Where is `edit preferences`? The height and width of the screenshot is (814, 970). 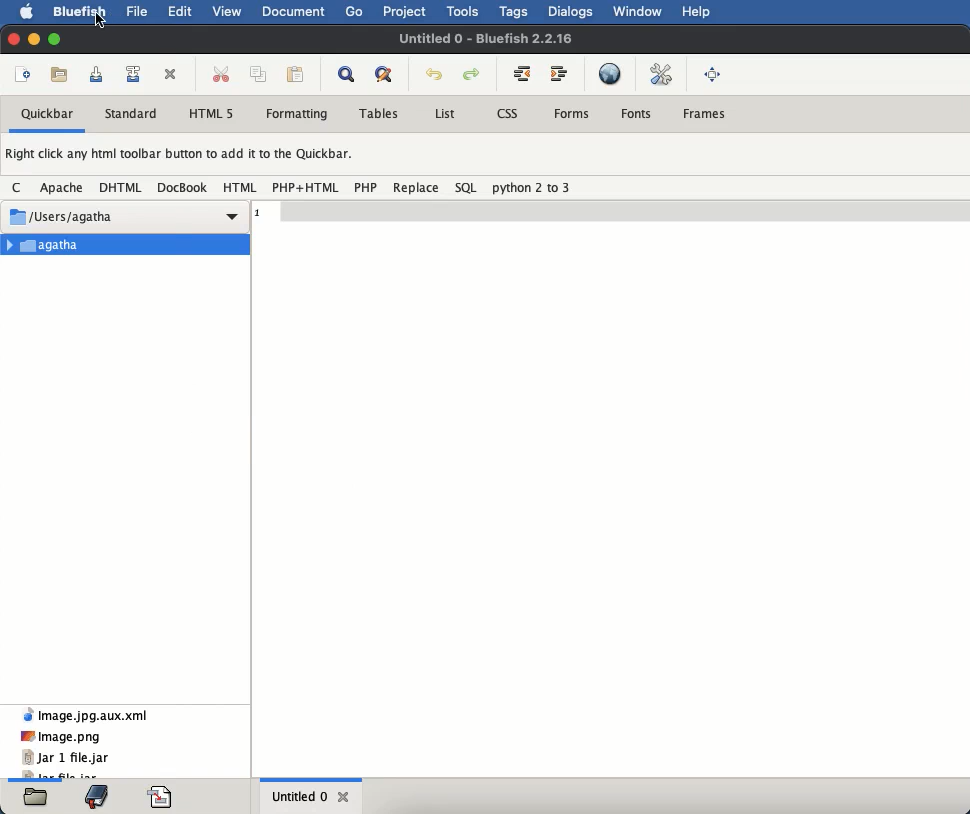 edit preferences is located at coordinates (664, 75).